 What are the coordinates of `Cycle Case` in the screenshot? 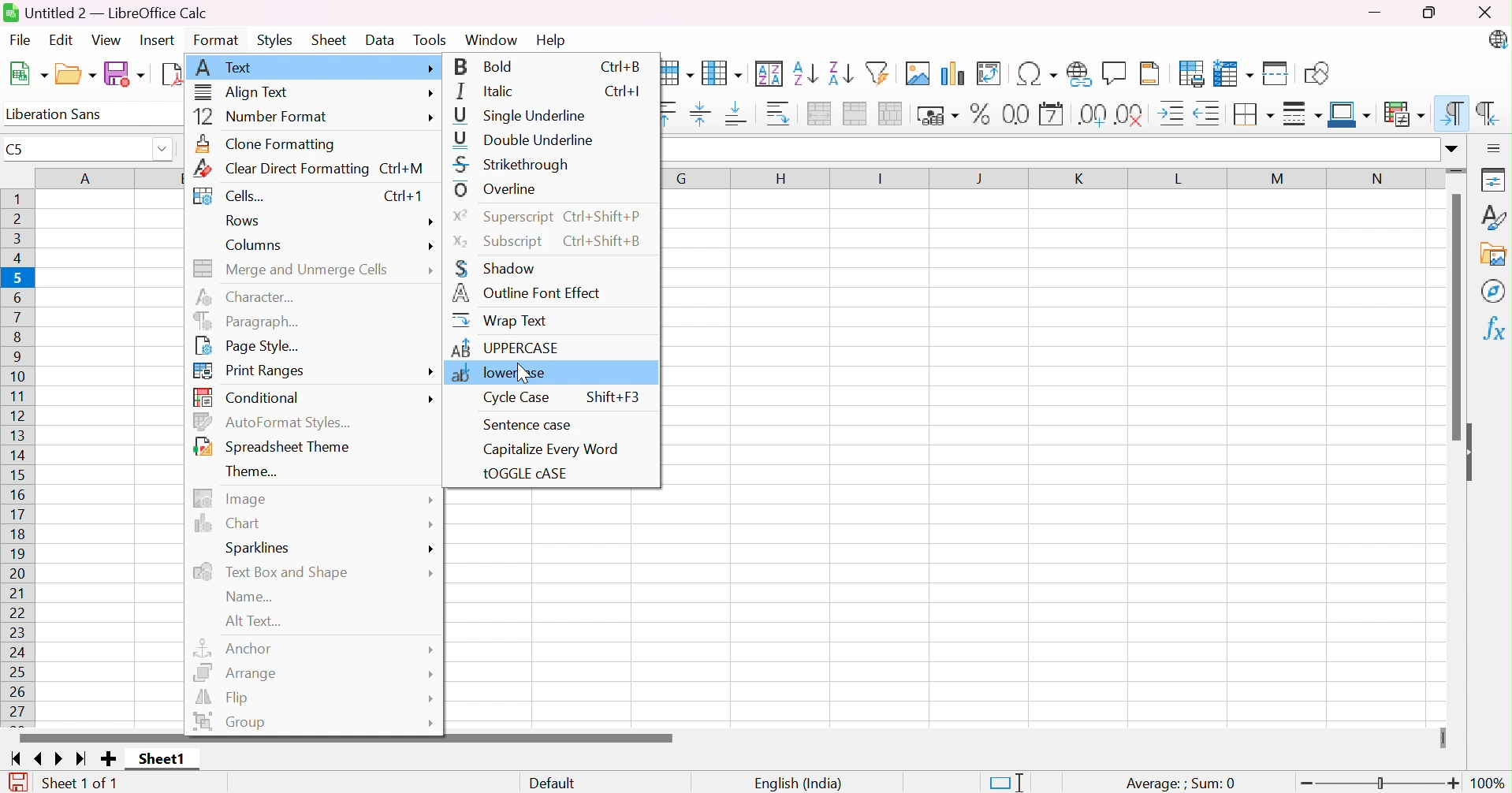 It's located at (517, 398).